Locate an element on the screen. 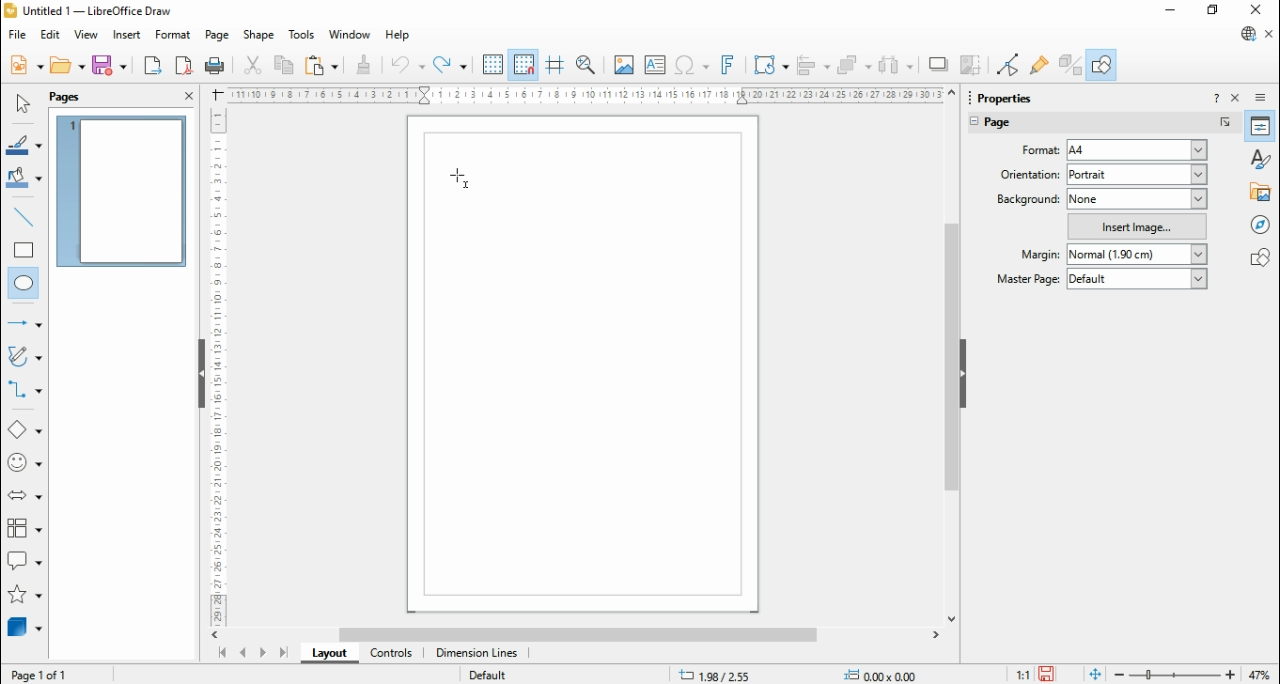  edit is located at coordinates (50, 35).